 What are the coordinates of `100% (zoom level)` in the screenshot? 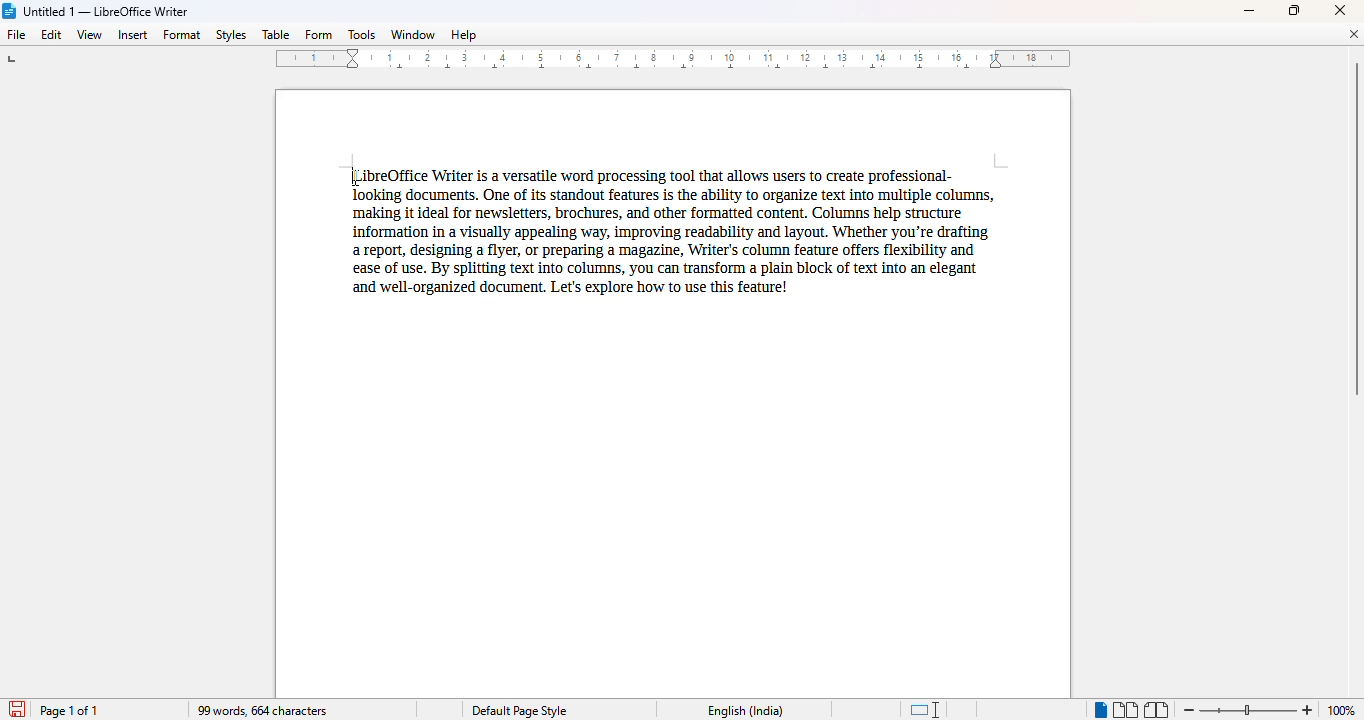 It's located at (1344, 710).